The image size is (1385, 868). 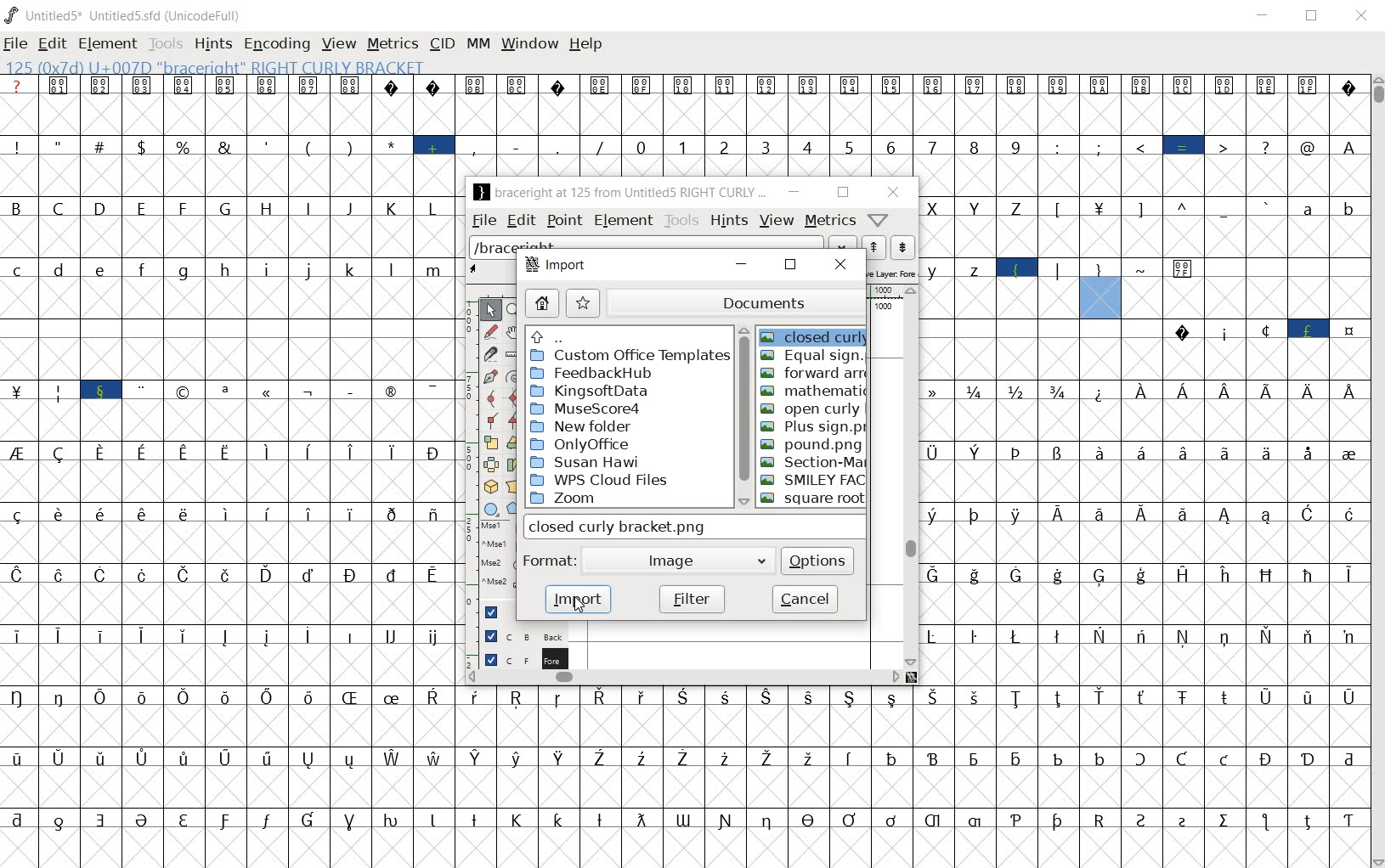 What do you see at coordinates (813, 357) in the screenshot?
I see `equal sign` at bounding box center [813, 357].